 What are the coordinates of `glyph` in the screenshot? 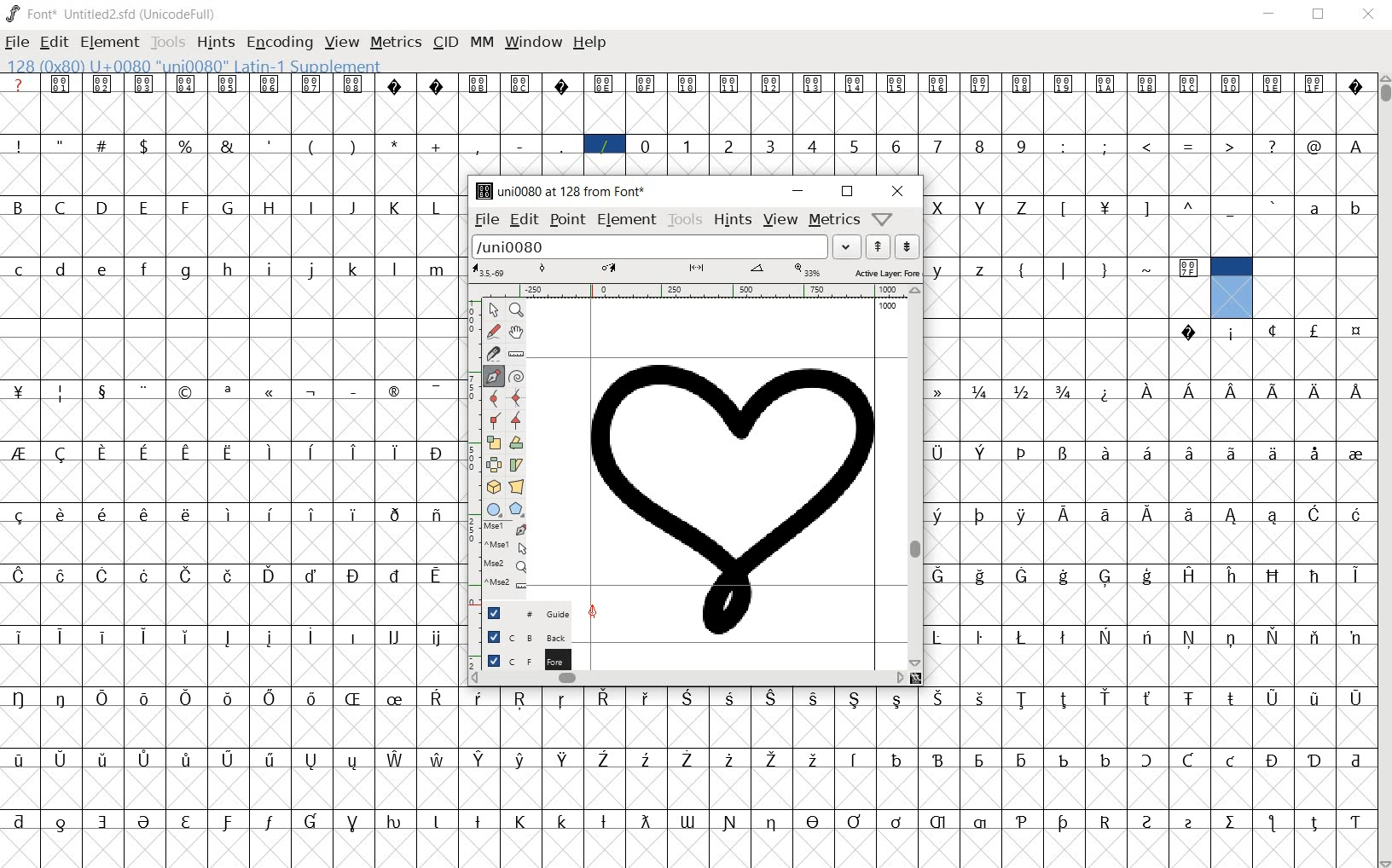 It's located at (143, 207).